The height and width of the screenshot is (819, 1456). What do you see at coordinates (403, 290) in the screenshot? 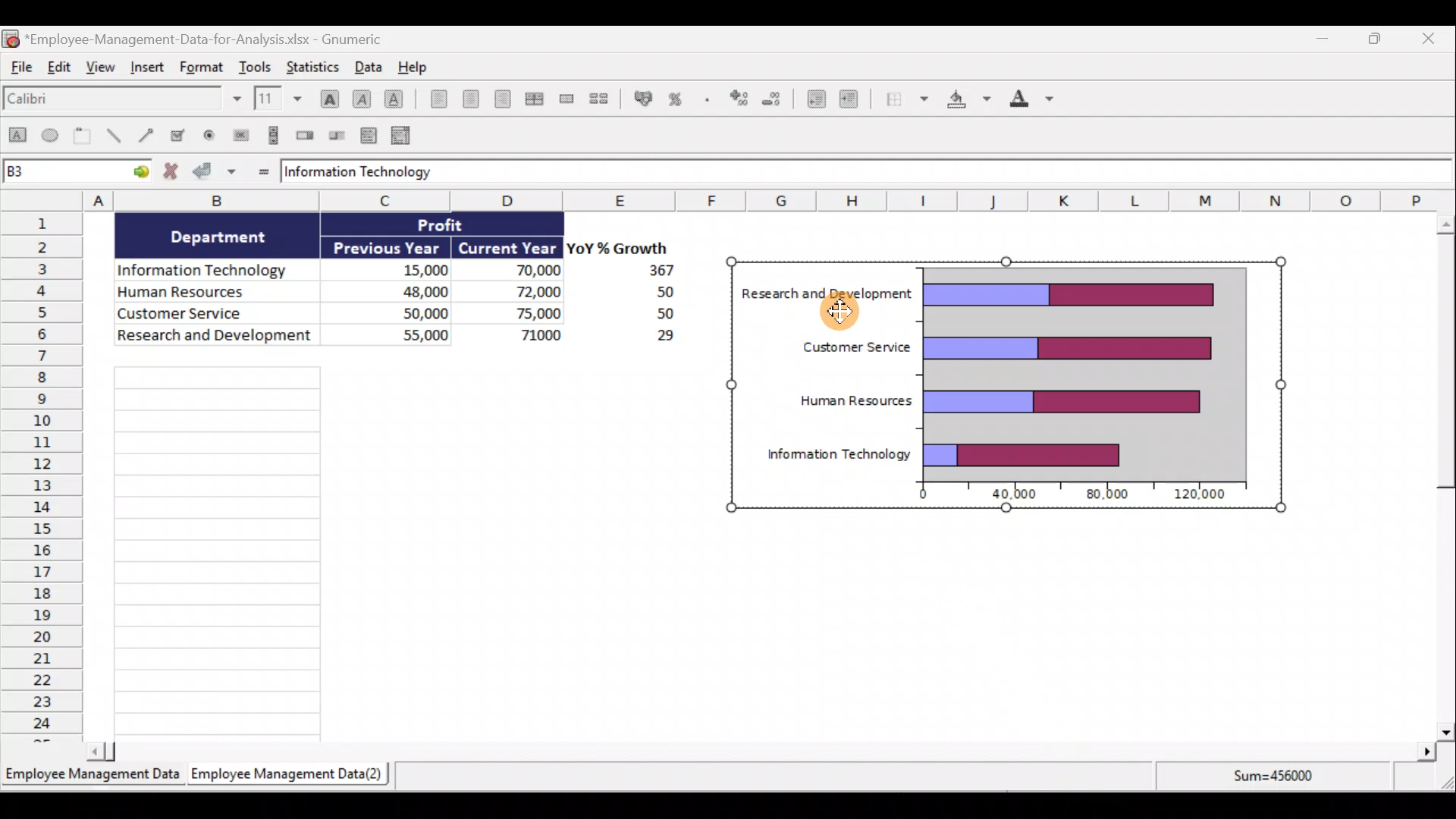
I see `48,000` at bounding box center [403, 290].